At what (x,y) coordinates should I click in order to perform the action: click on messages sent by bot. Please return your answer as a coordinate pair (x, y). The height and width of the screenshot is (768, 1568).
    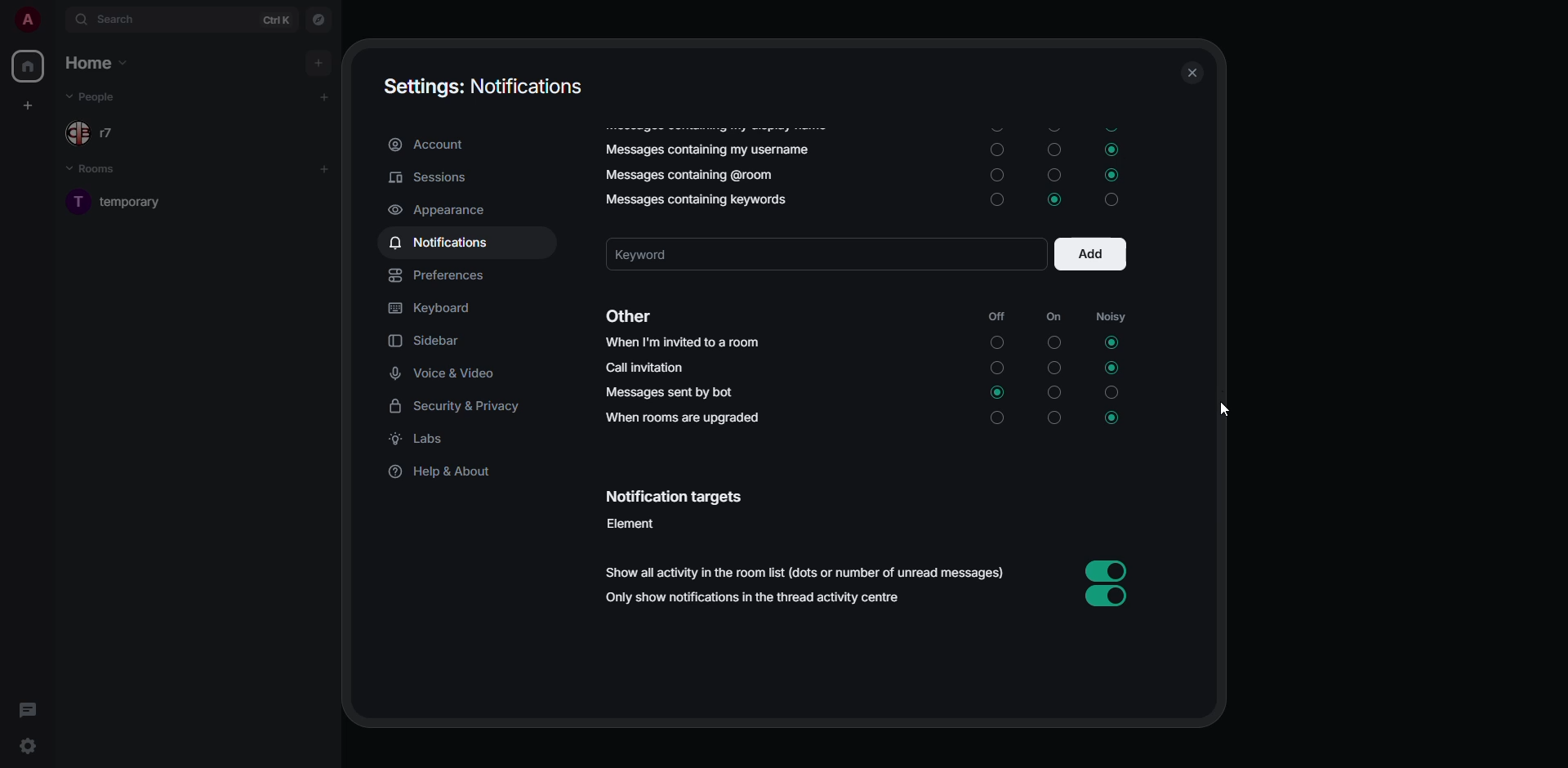
    Looking at the image, I should click on (670, 392).